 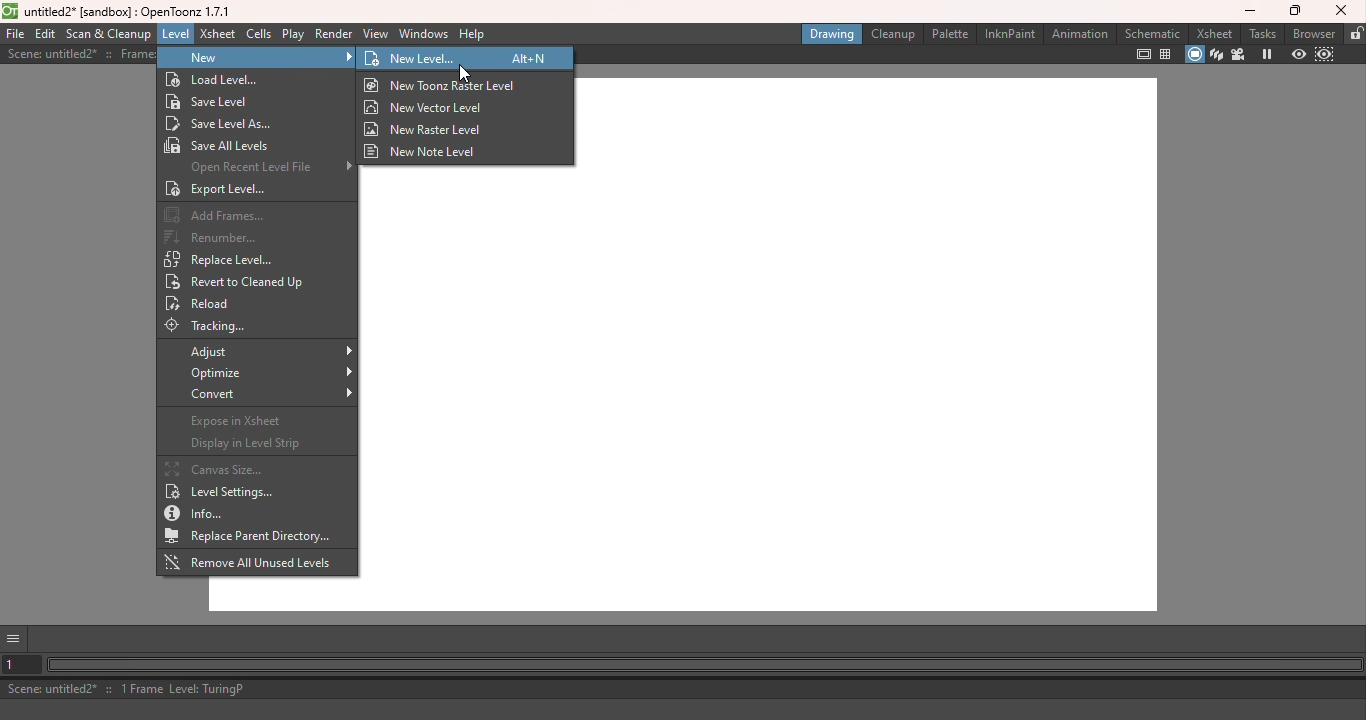 What do you see at coordinates (1219, 54) in the screenshot?
I see `3D view` at bounding box center [1219, 54].